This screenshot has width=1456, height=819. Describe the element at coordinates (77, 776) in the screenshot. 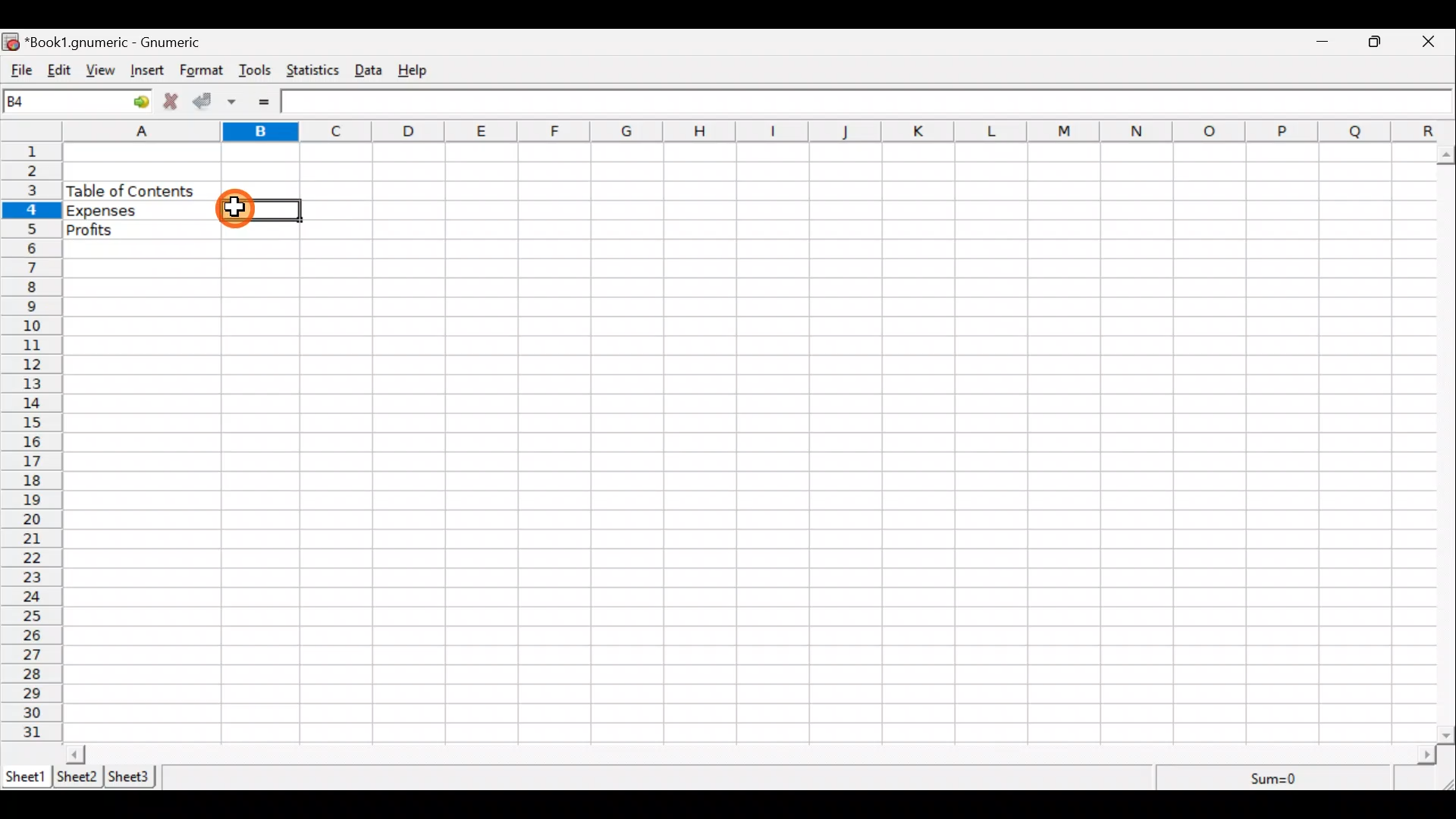

I see `Sheet 2` at that location.